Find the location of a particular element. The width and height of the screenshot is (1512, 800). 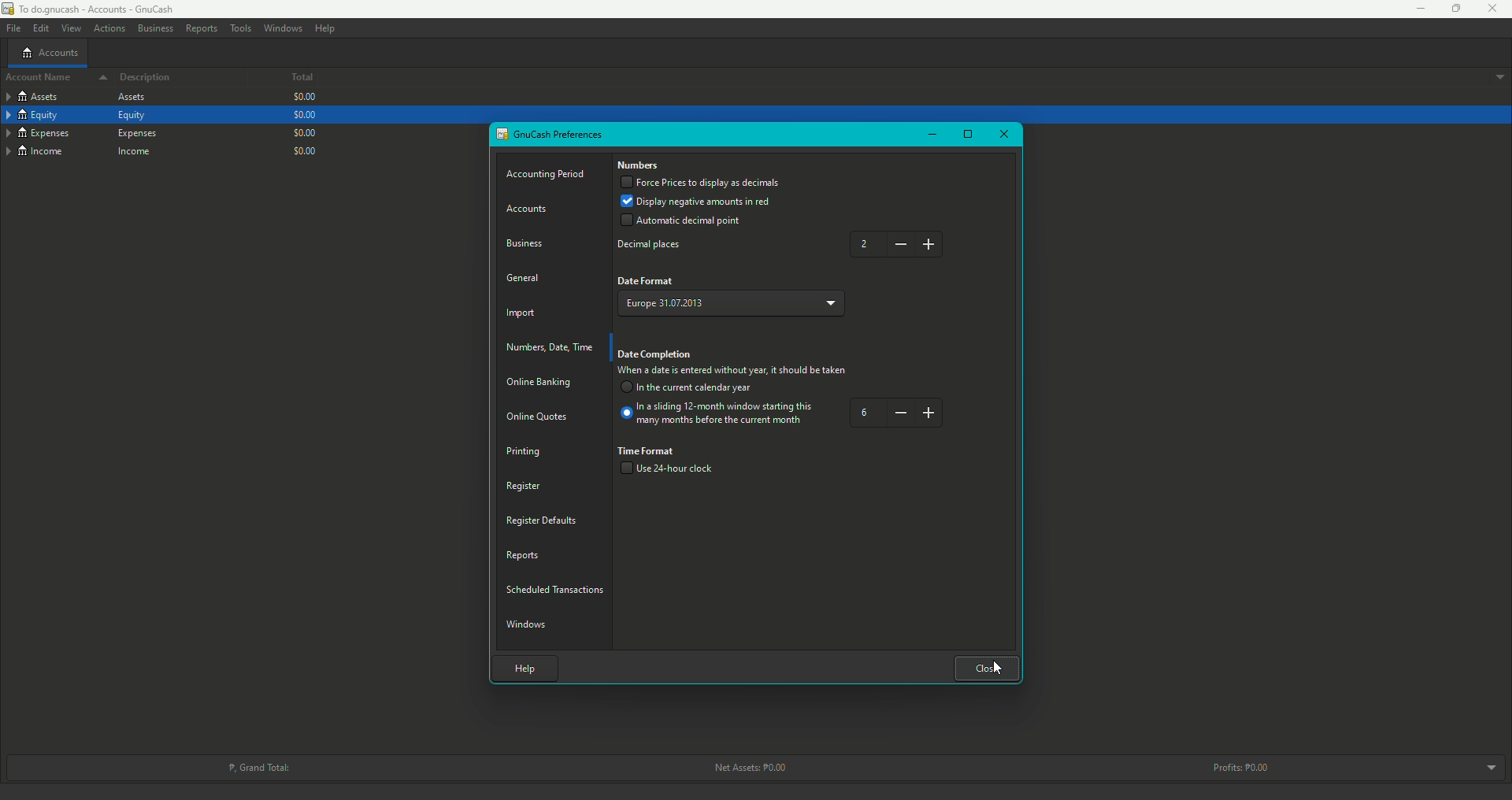

Accounts is located at coordinates (531, 209).